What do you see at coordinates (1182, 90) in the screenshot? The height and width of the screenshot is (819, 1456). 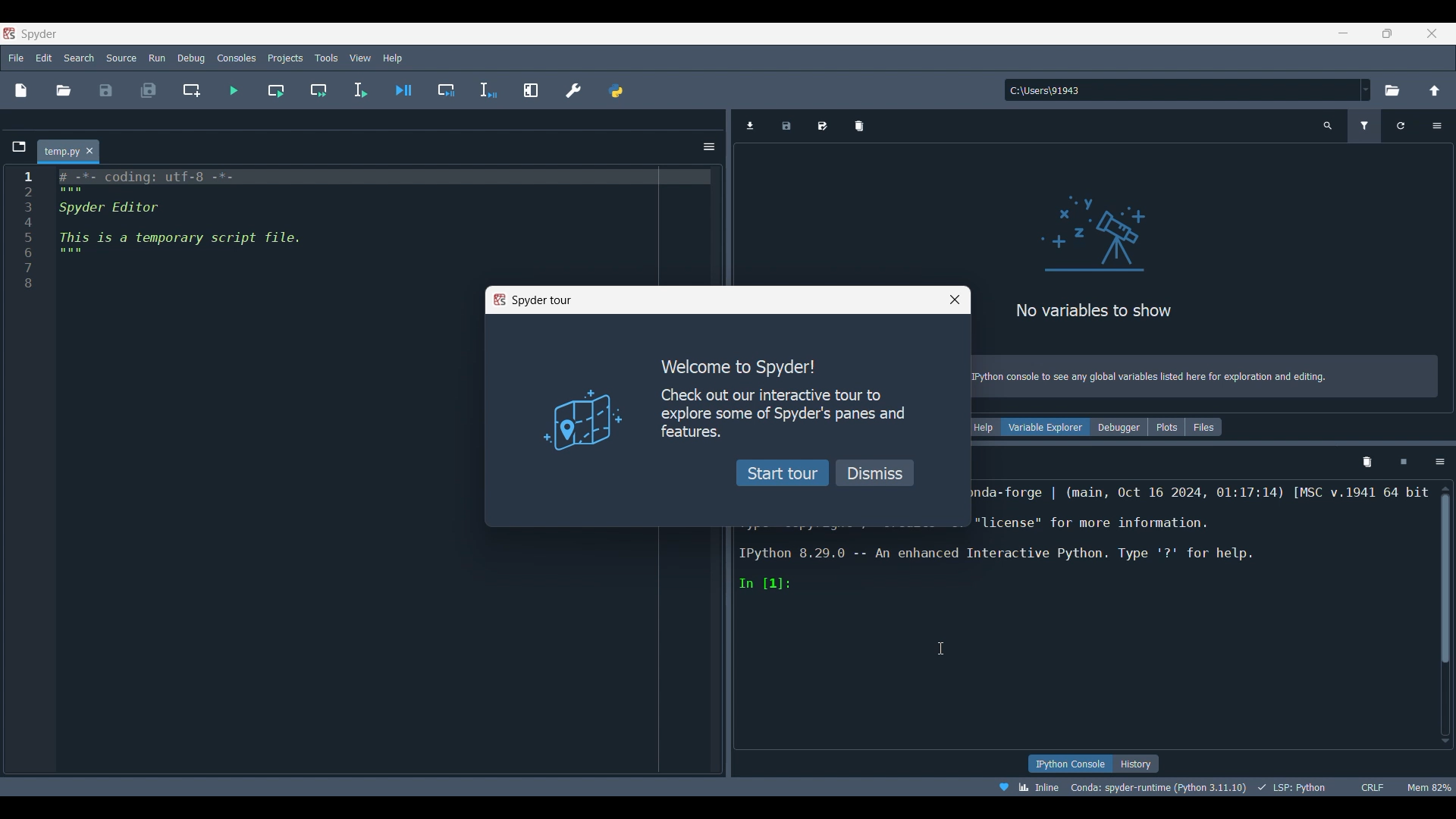 I see `Enter location` at bounding box center [1182, 90].